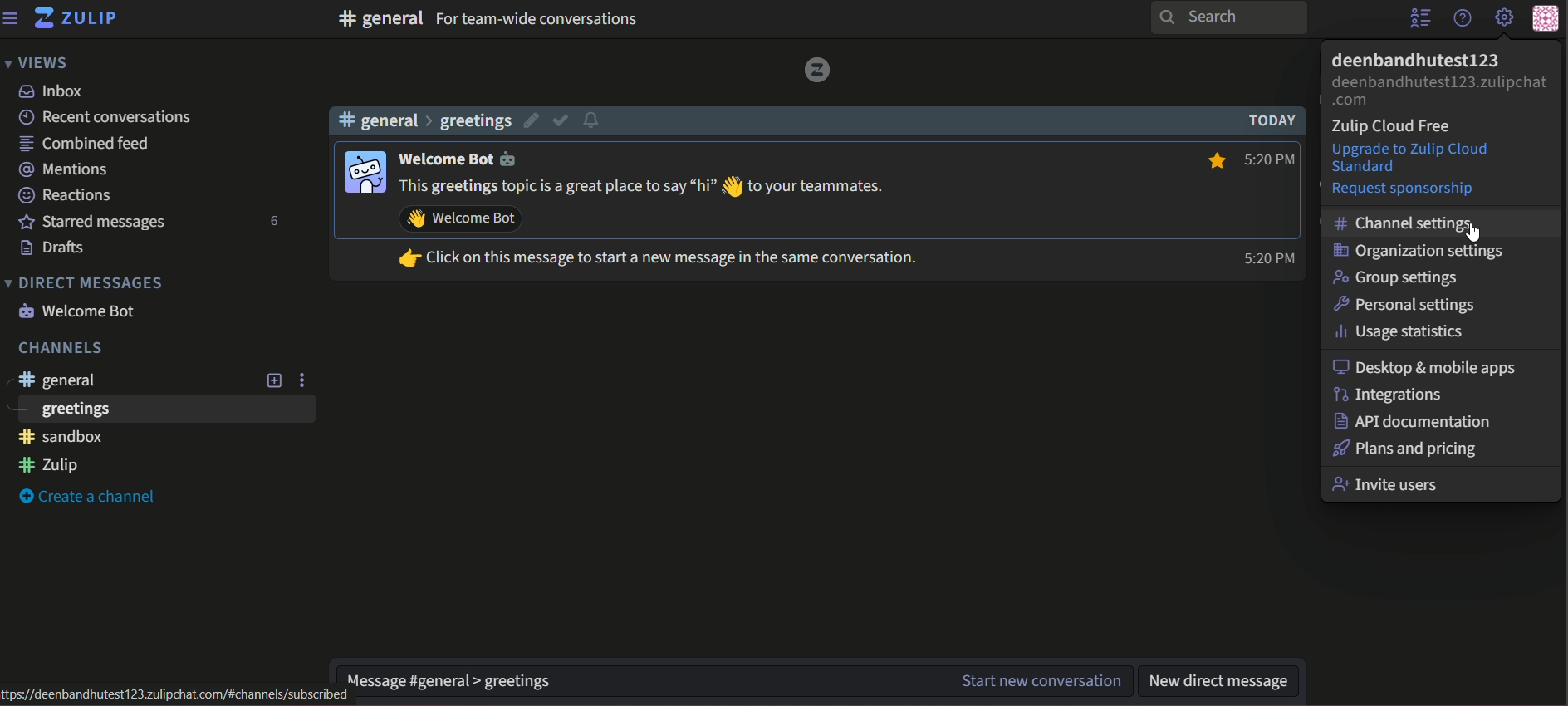 Image resolution: width=1568 pixels, height=706 pixels. What do you see at coordinates (80, 310) in the screenshot?
I see `welcome bot` at bounding box center [80, 310].